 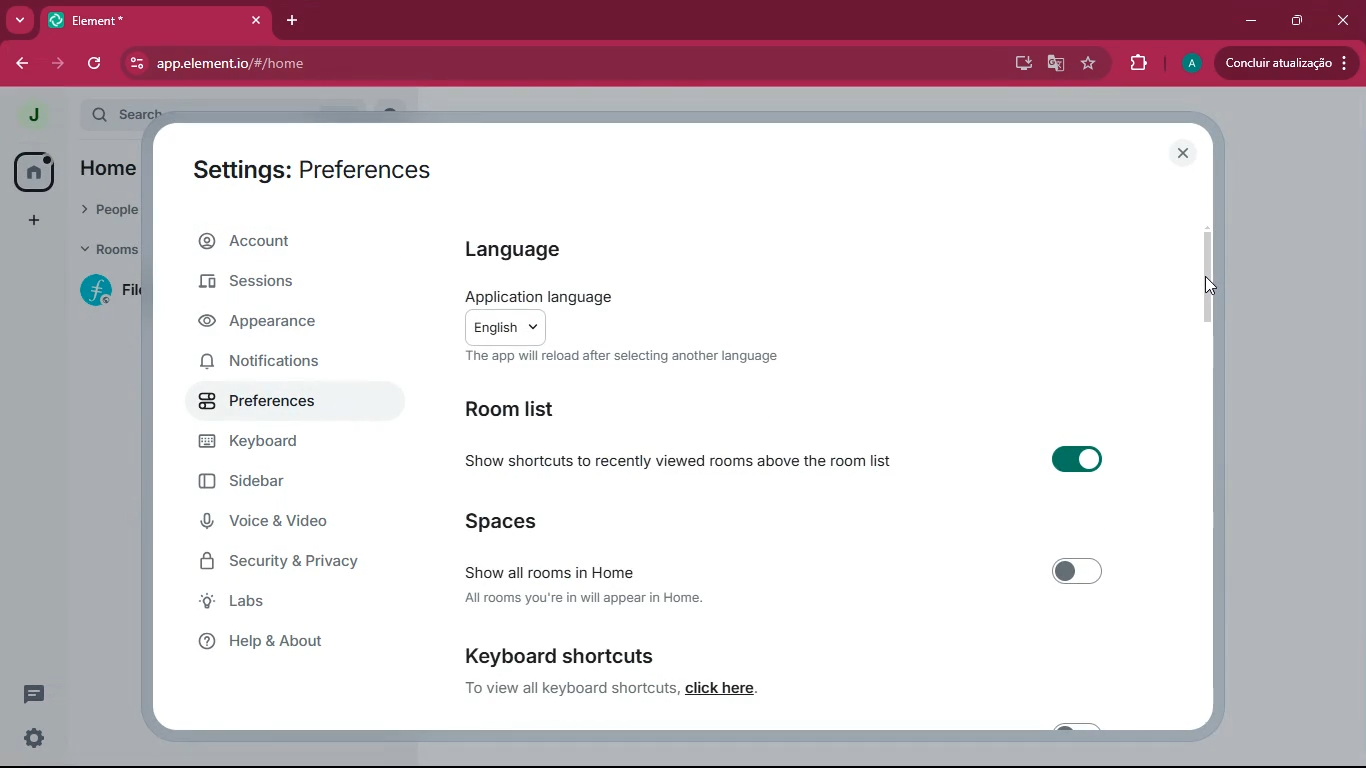 I want to click on sessions, so click(x=254, y=288).